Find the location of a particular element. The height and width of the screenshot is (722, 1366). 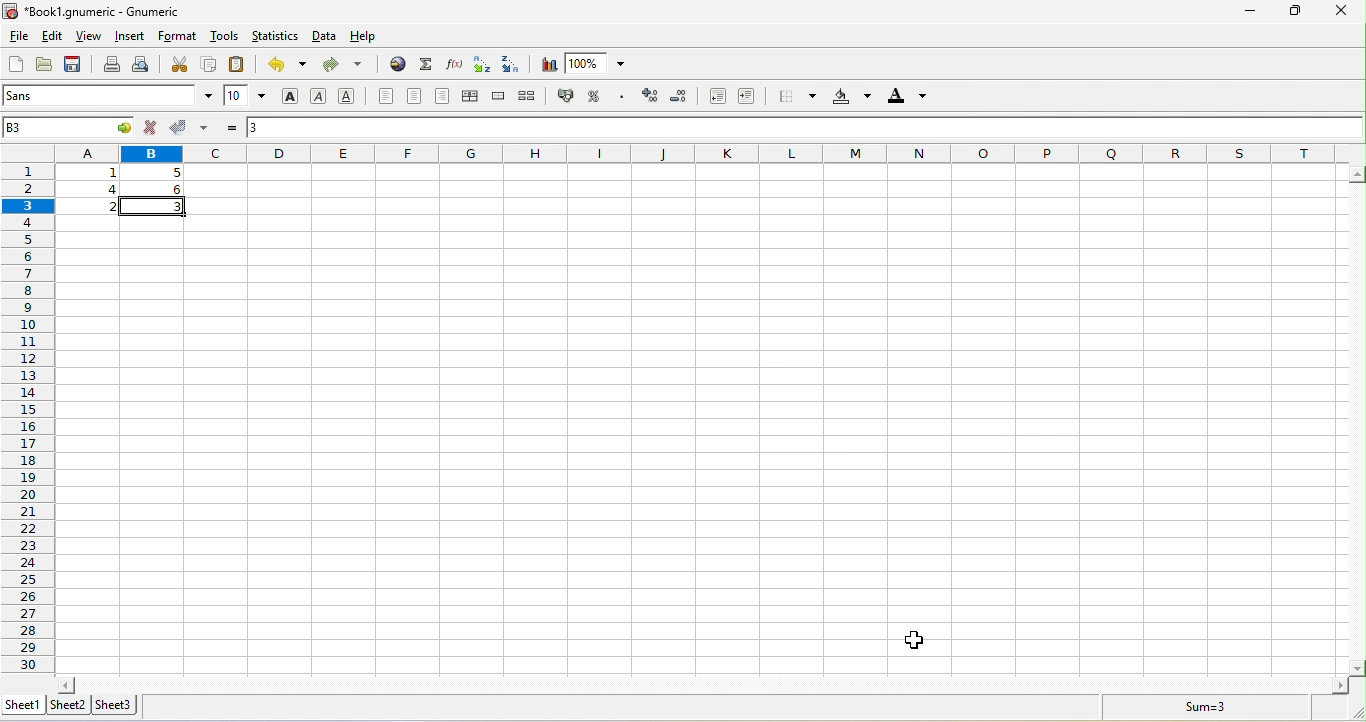

horizontal scroll bar is located at coordinates (700, 683).